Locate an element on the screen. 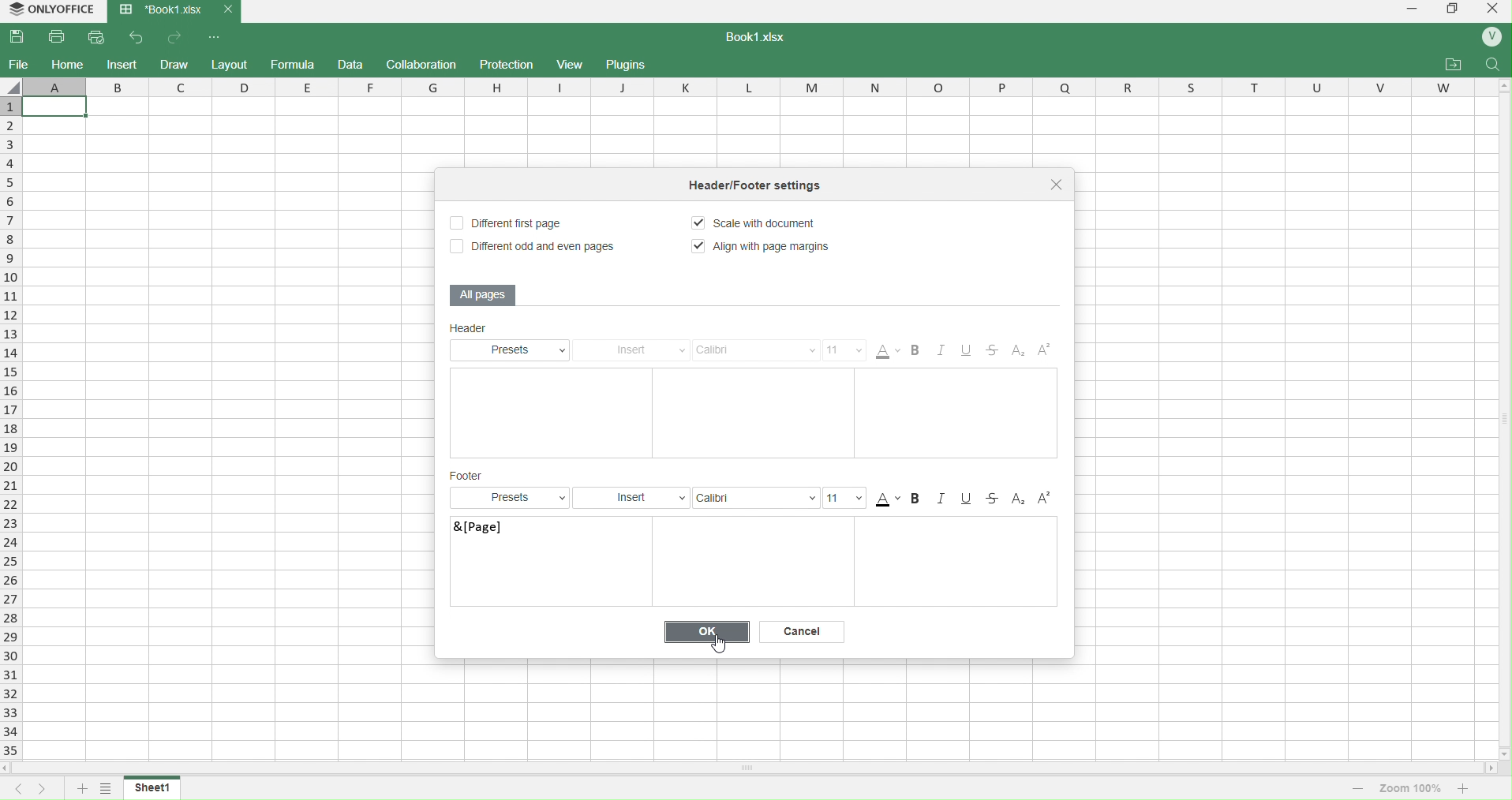 The height and width of the screenshot is (800, 1512). Header is located at coordinates (503, 330).